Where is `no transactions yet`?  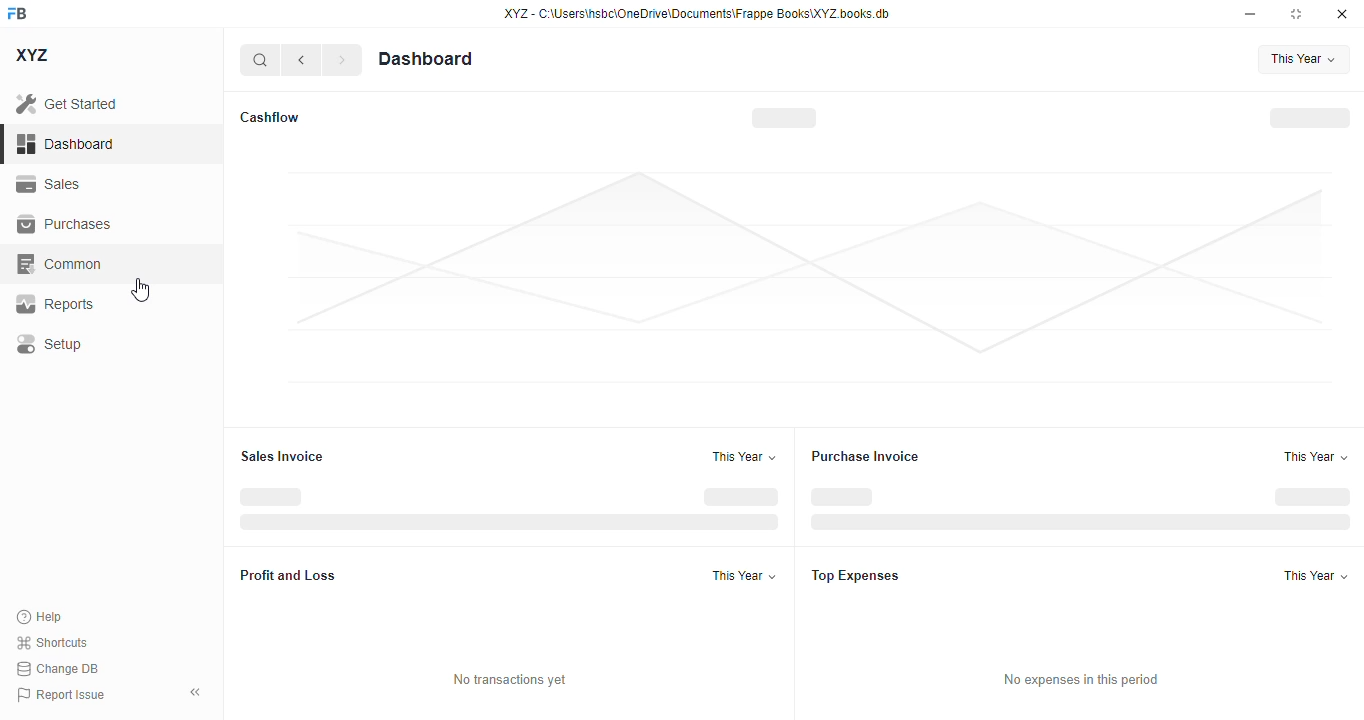
no transactions yet is located at coordinates (510, 679).